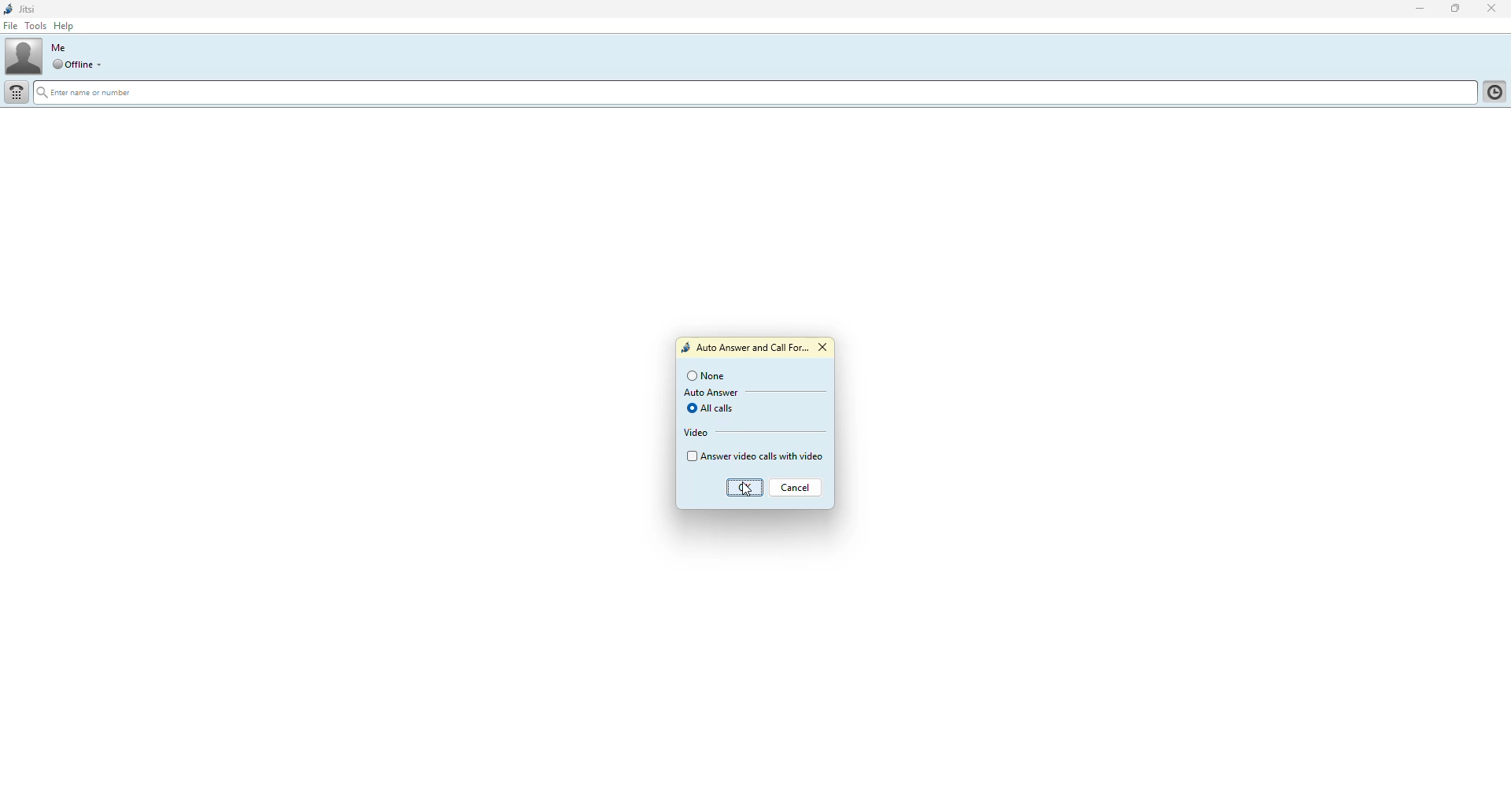  What do you see at coordinates (103, 65) in the screenshot?
I see `drop down` at bounding box center [103, 65].